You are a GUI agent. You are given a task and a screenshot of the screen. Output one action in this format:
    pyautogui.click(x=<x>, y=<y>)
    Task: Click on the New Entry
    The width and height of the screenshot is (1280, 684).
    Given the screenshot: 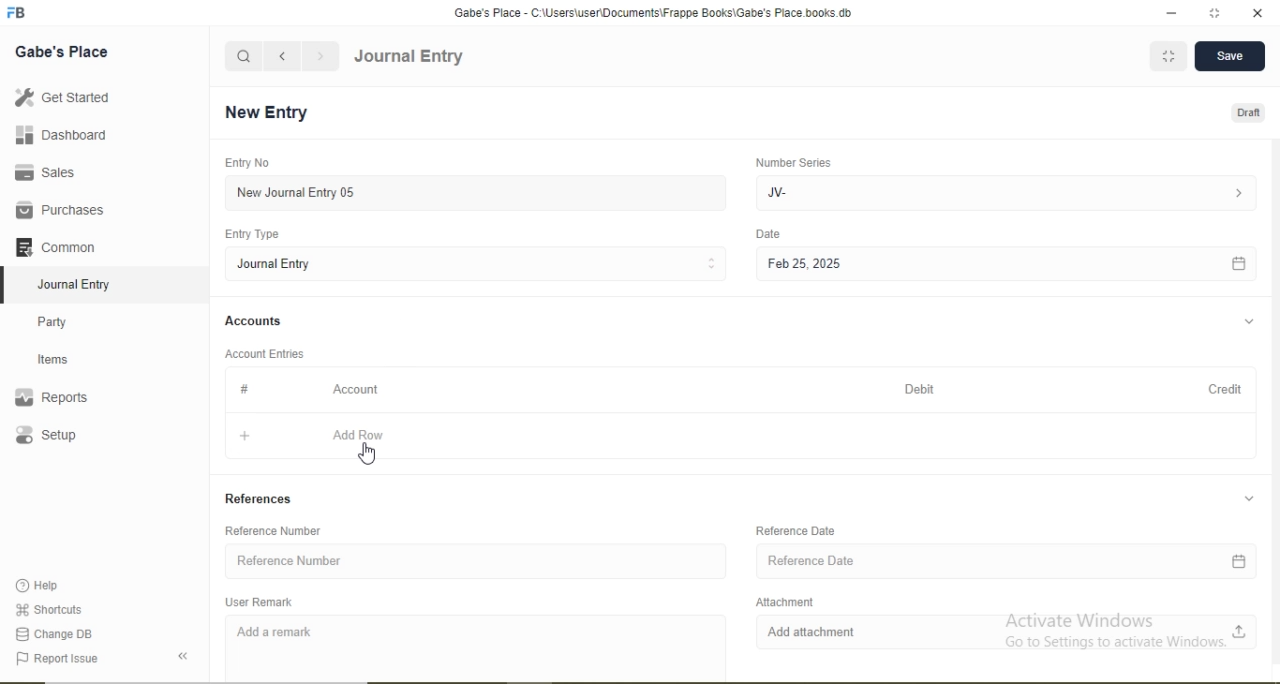 What is the action you would take?
    pyautogui.click(x=272, y=113)
    